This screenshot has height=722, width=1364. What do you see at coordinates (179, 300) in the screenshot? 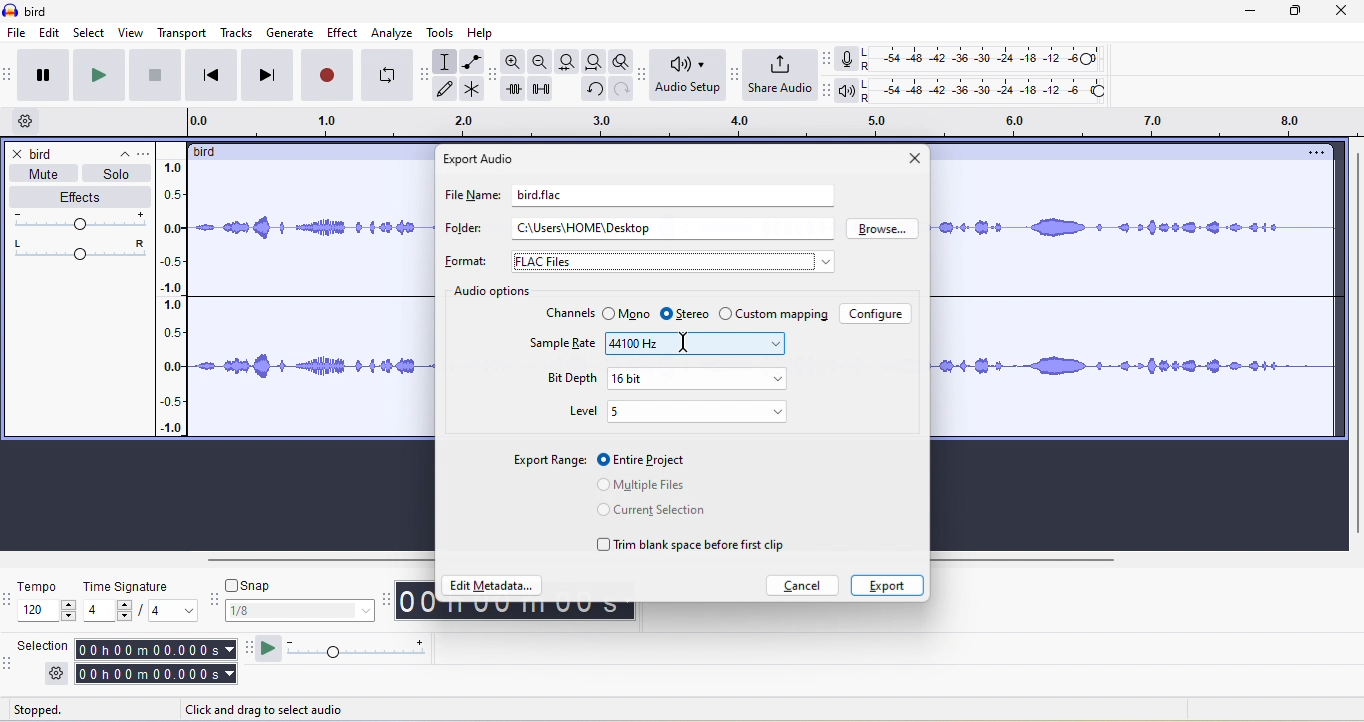
I see `linear` at bounding box center [179, 300].